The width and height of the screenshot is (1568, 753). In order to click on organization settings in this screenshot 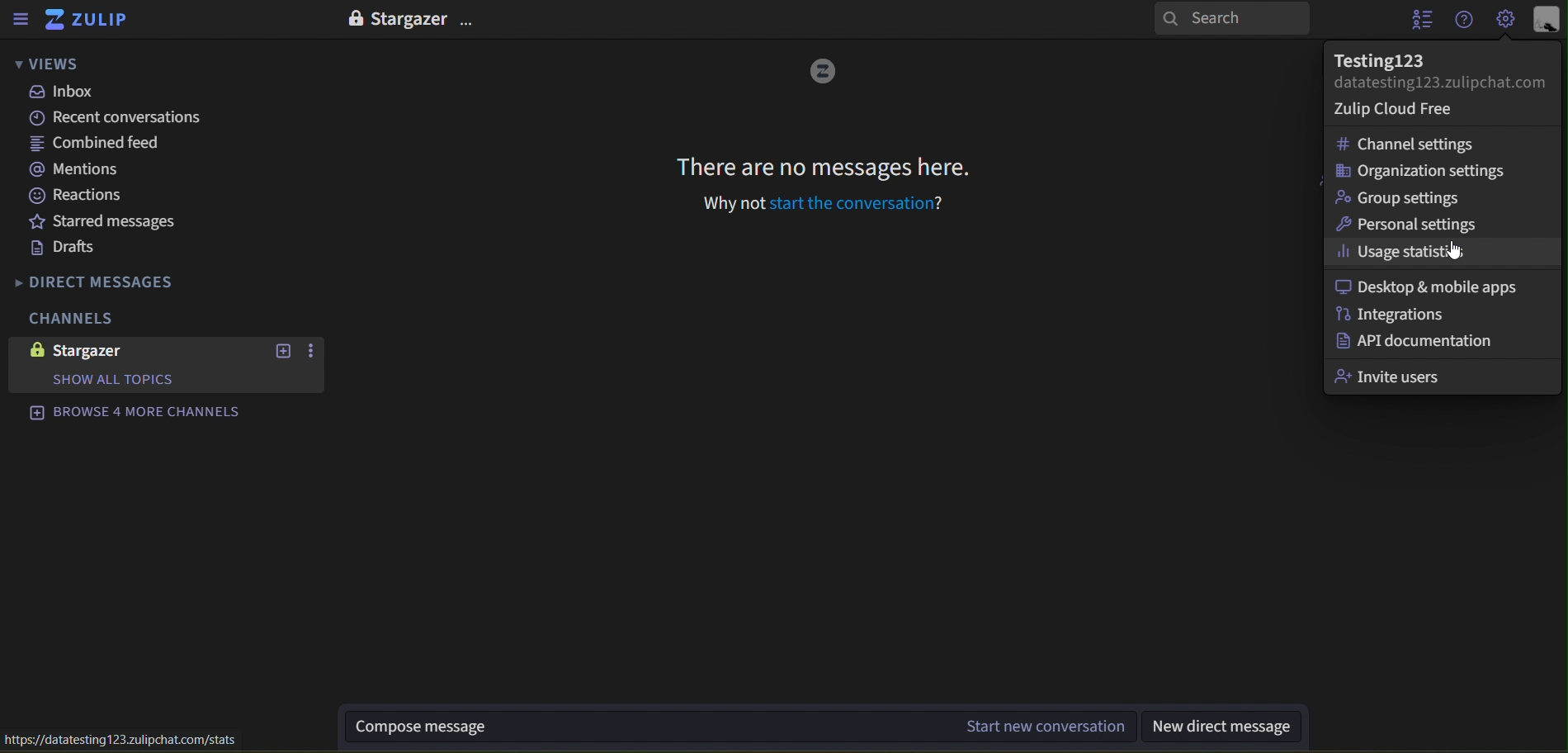, I will do `click(1422, 170)`.